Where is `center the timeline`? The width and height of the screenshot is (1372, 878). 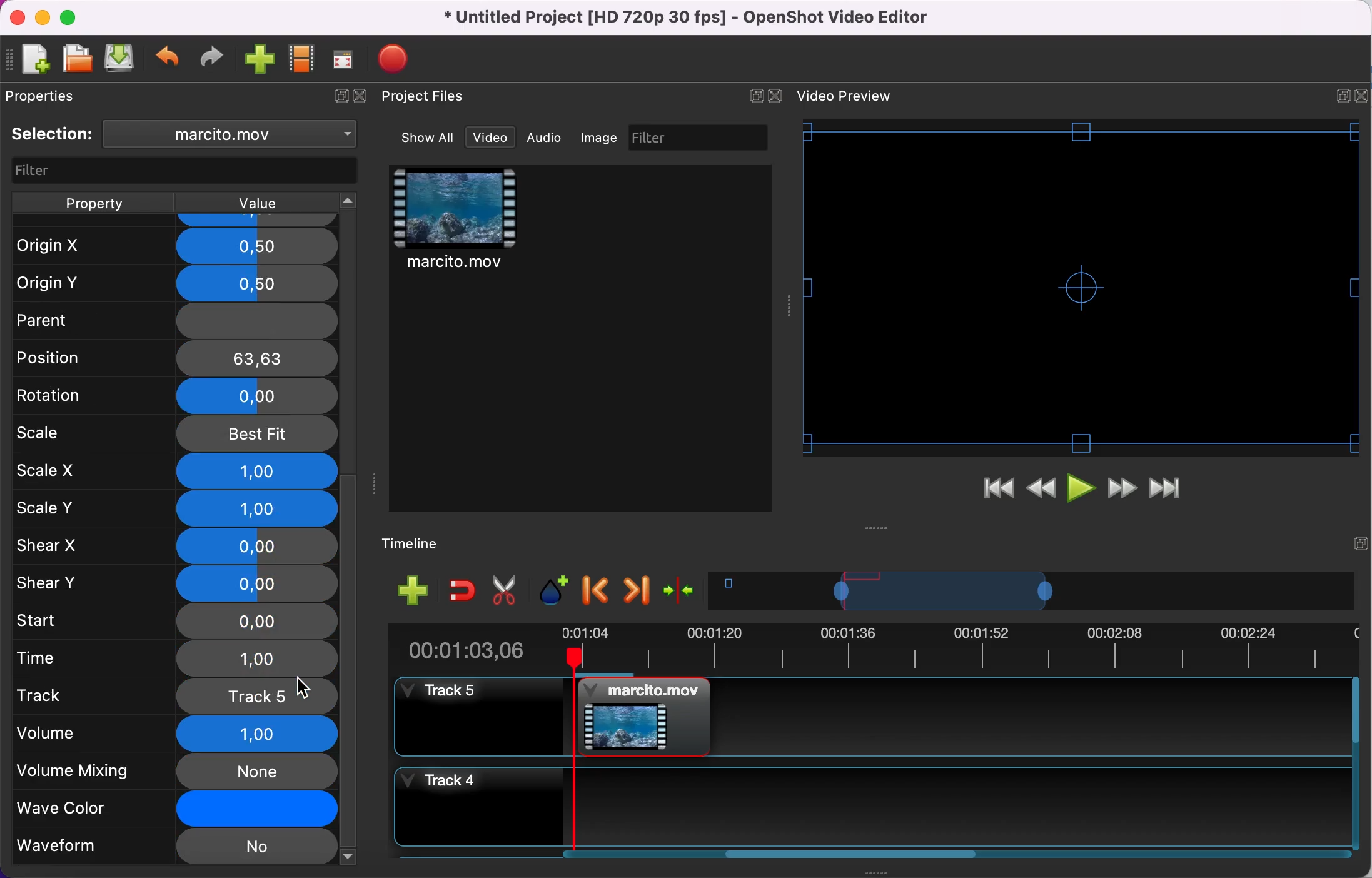 center the timeline is located at coordinates (682, 589).